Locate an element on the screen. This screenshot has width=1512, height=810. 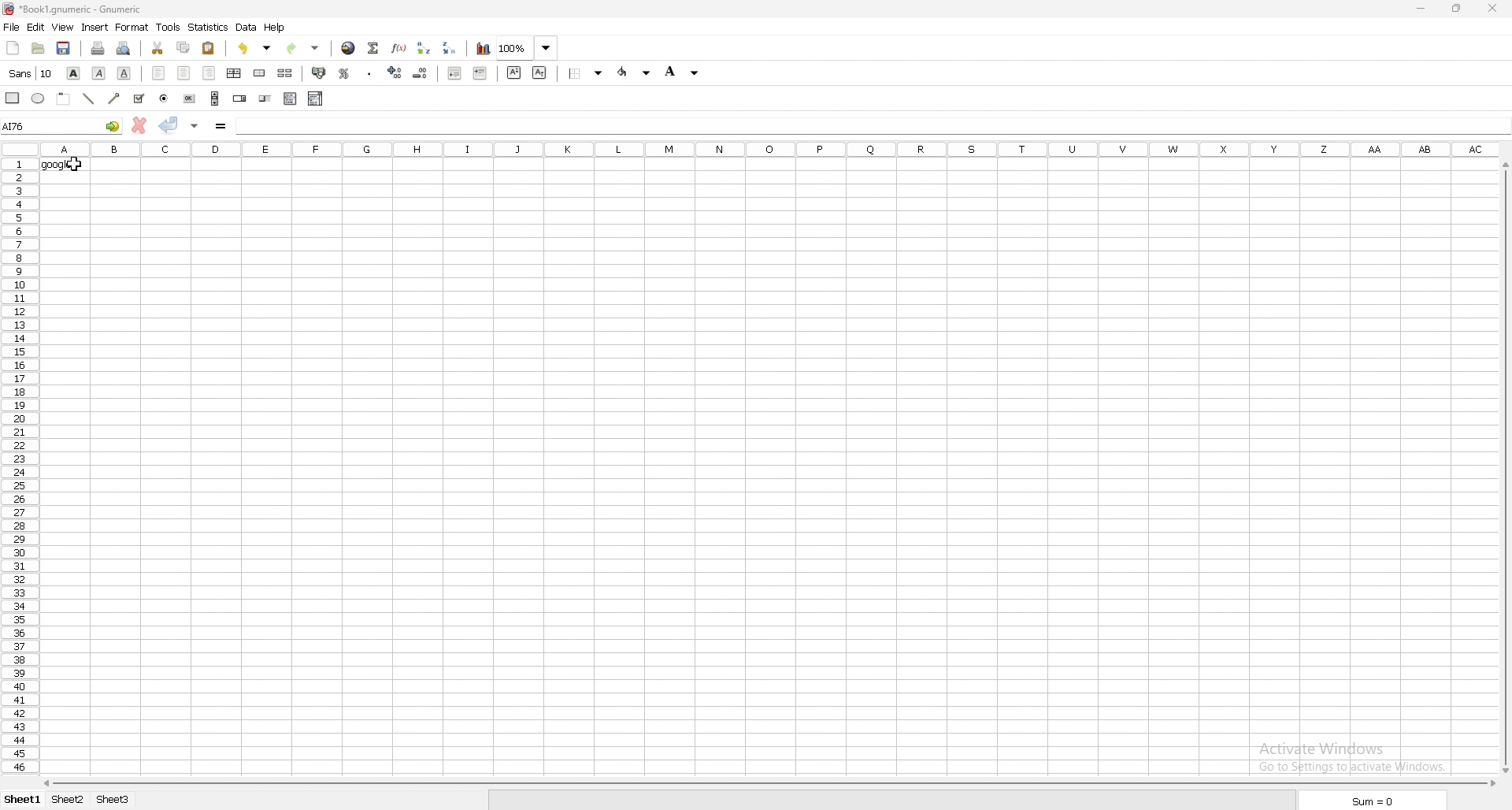
underline is located at coordinates (124, 72).